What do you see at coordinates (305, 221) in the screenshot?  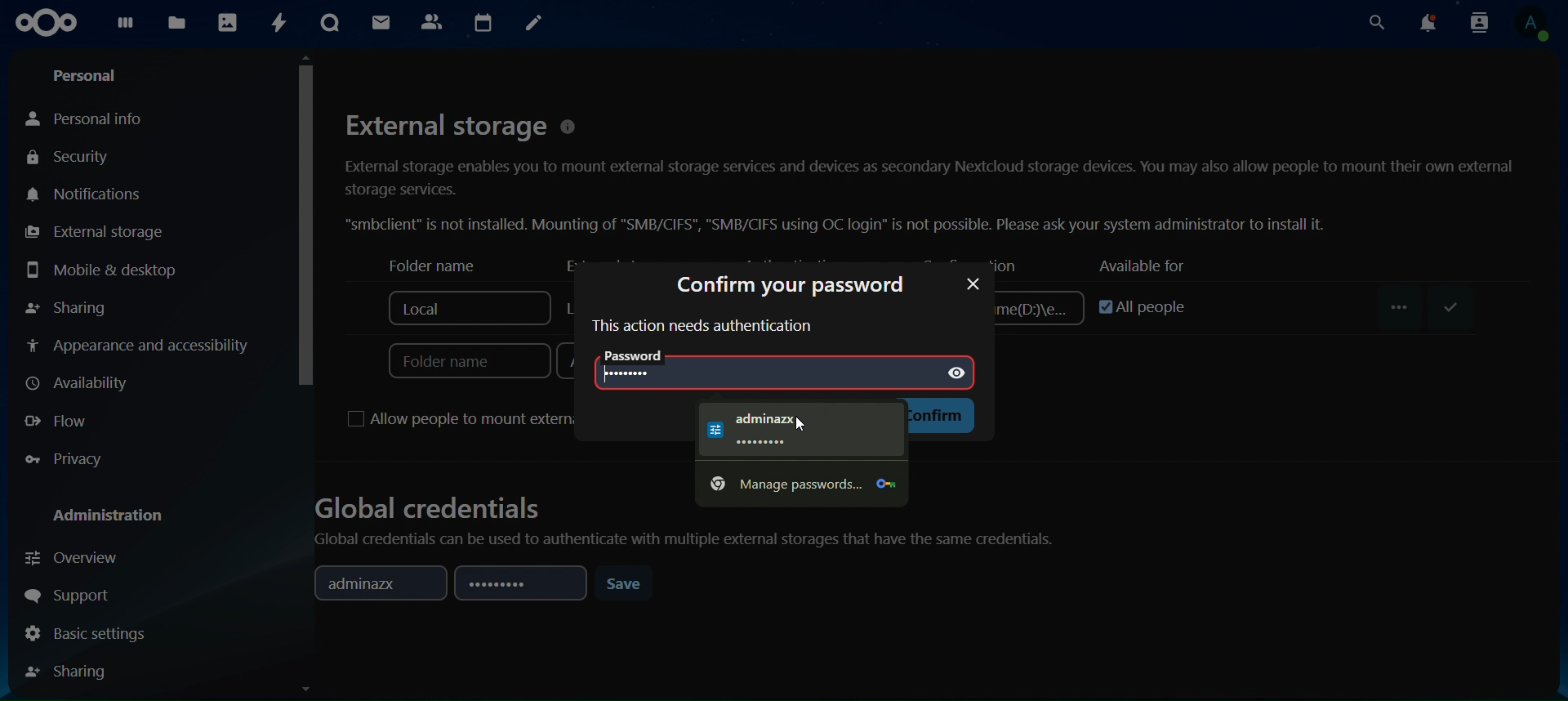 I see `cursor` at bounding box center [305, 221].